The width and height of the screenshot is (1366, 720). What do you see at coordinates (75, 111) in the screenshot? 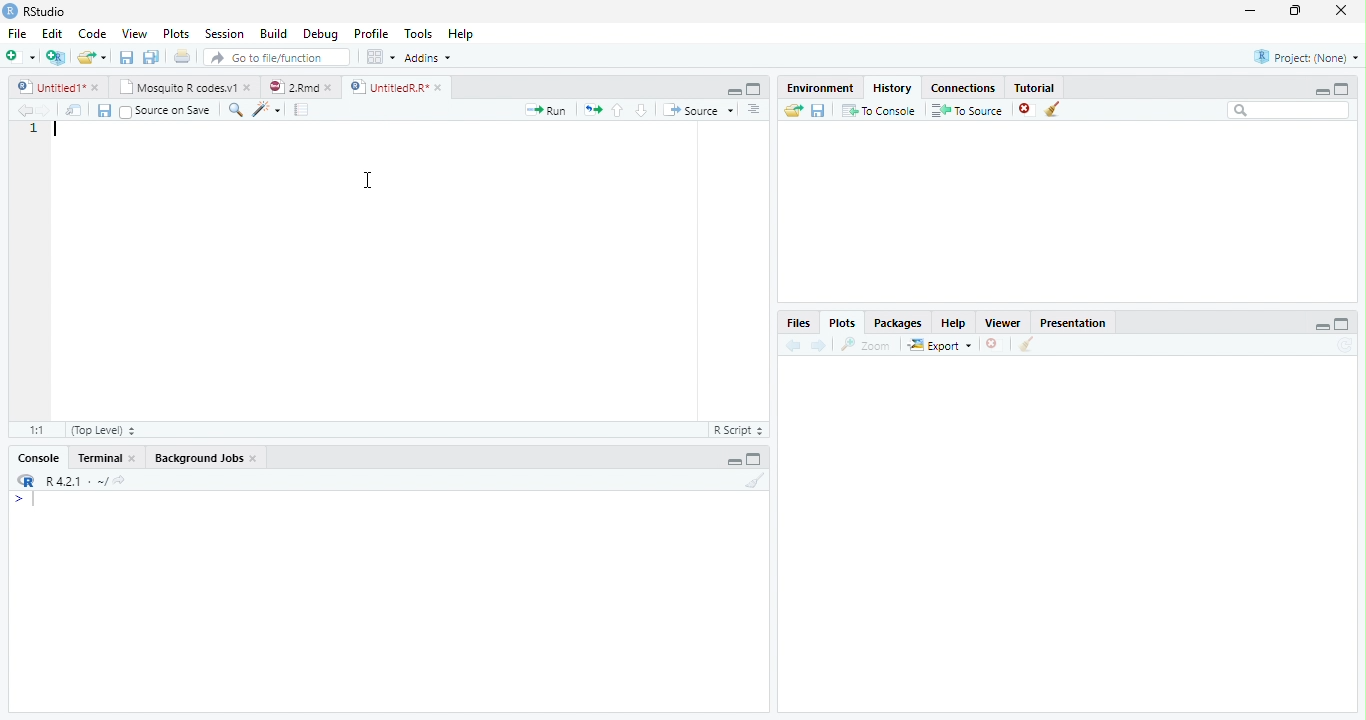
I see `show in window` at bounding box center [75, 111].